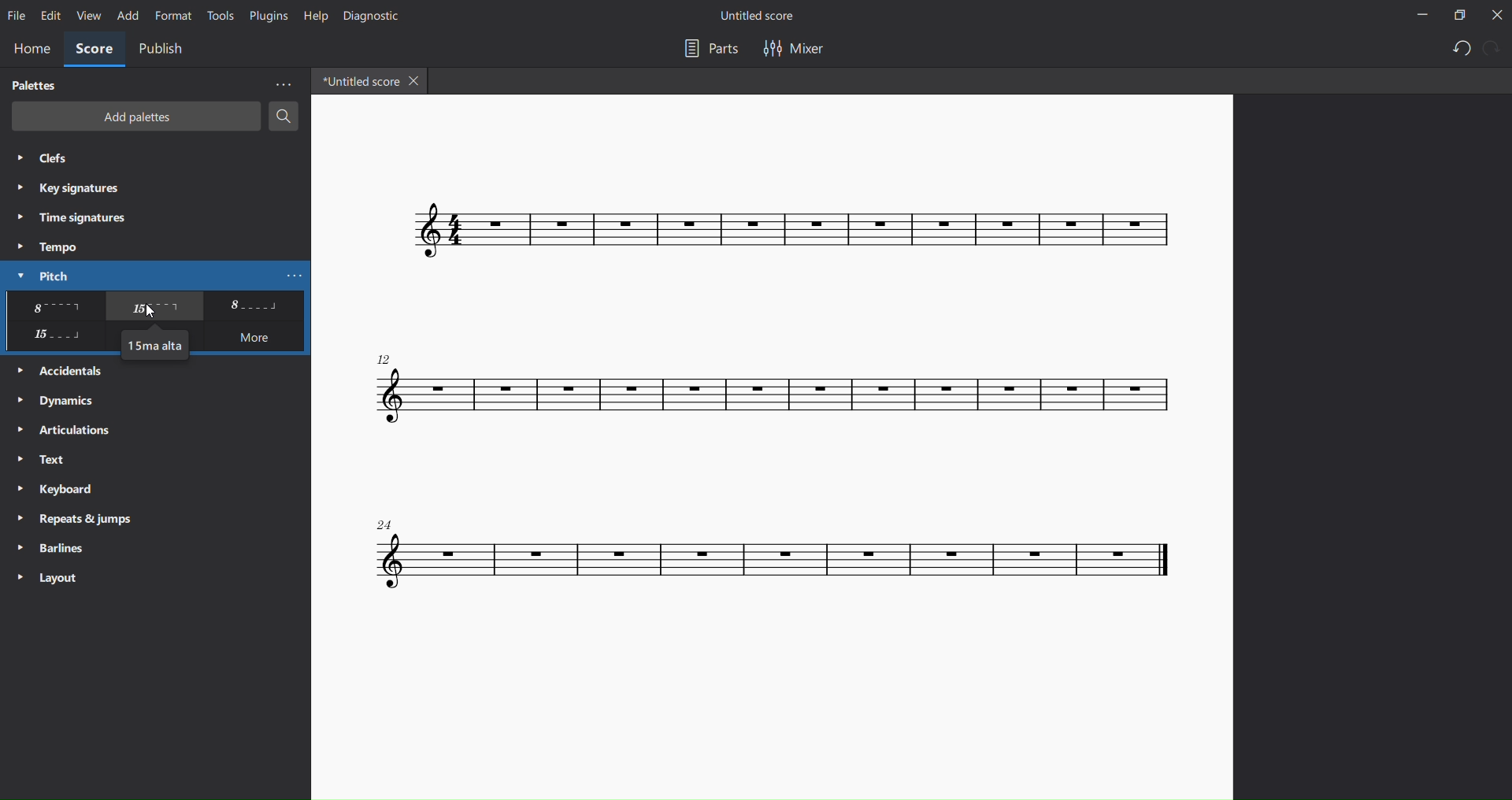 Image resolution: width=1512 pixels, height=800 pixels. I want to click on barlines, so click(48, 545).